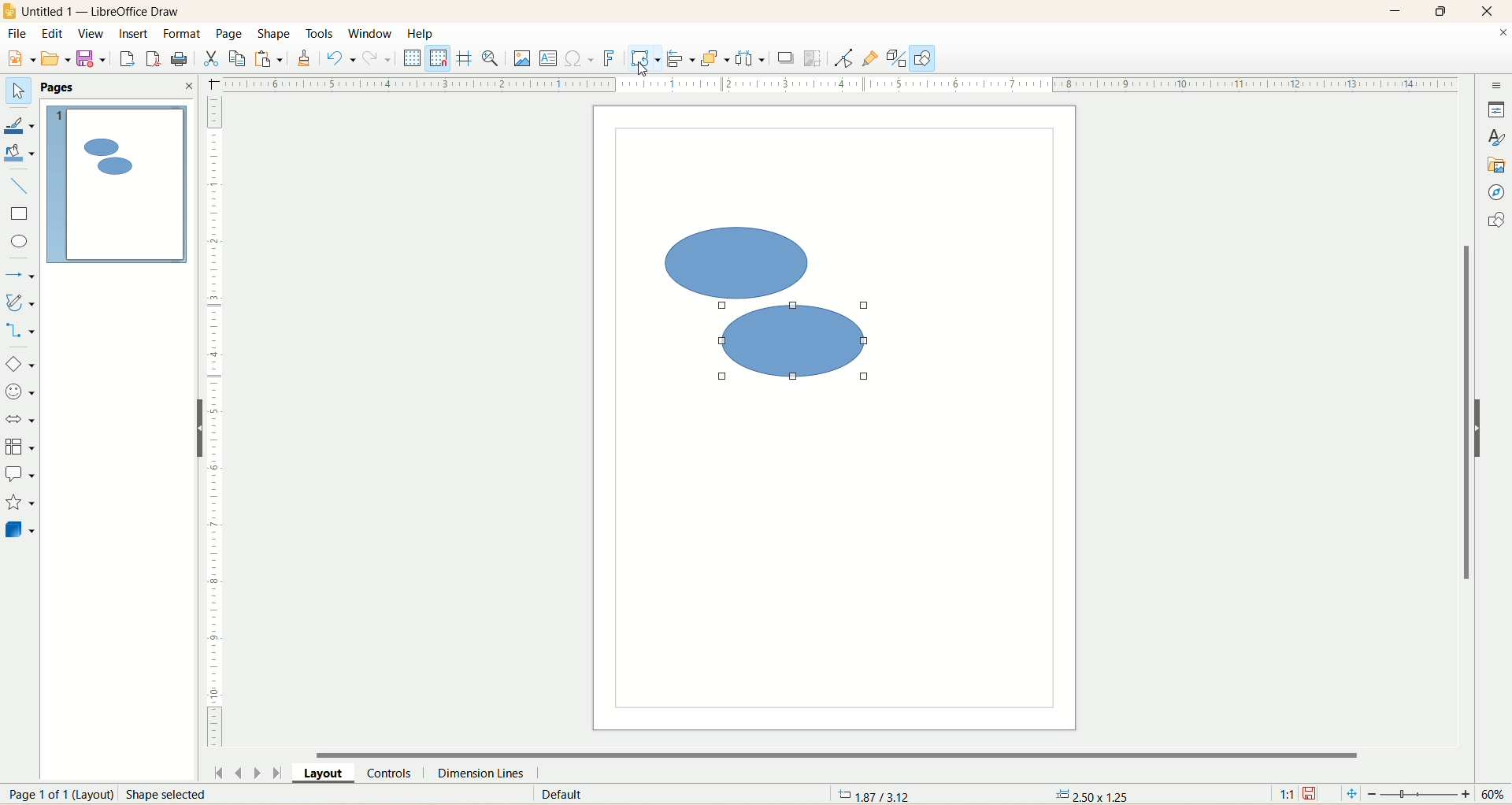  What do you see at coordinates (21, 331) in the screenshot?
I see `connectors` at bounding box center [21, 331].